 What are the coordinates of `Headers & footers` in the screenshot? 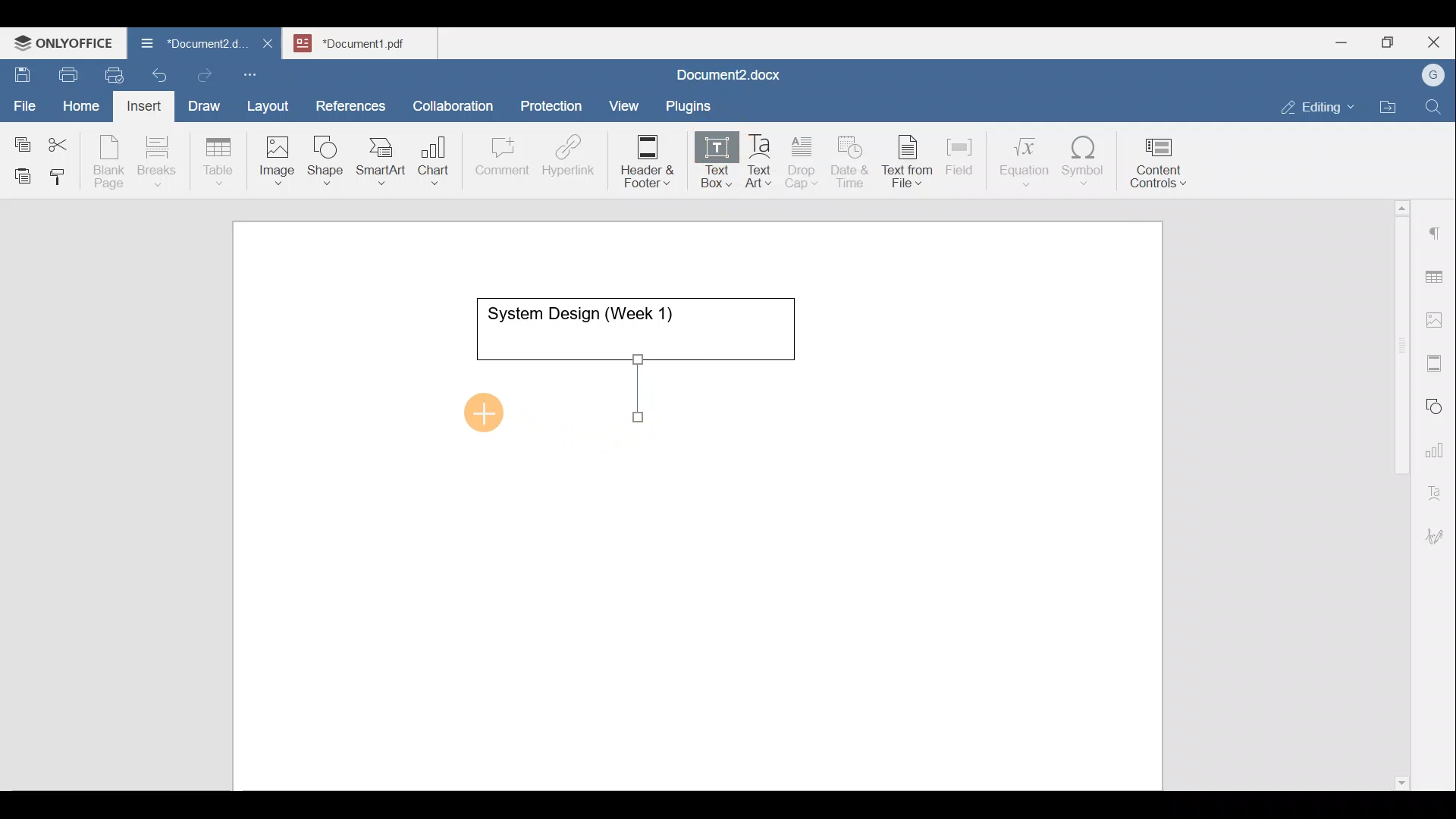 It's located at (1437, 359).